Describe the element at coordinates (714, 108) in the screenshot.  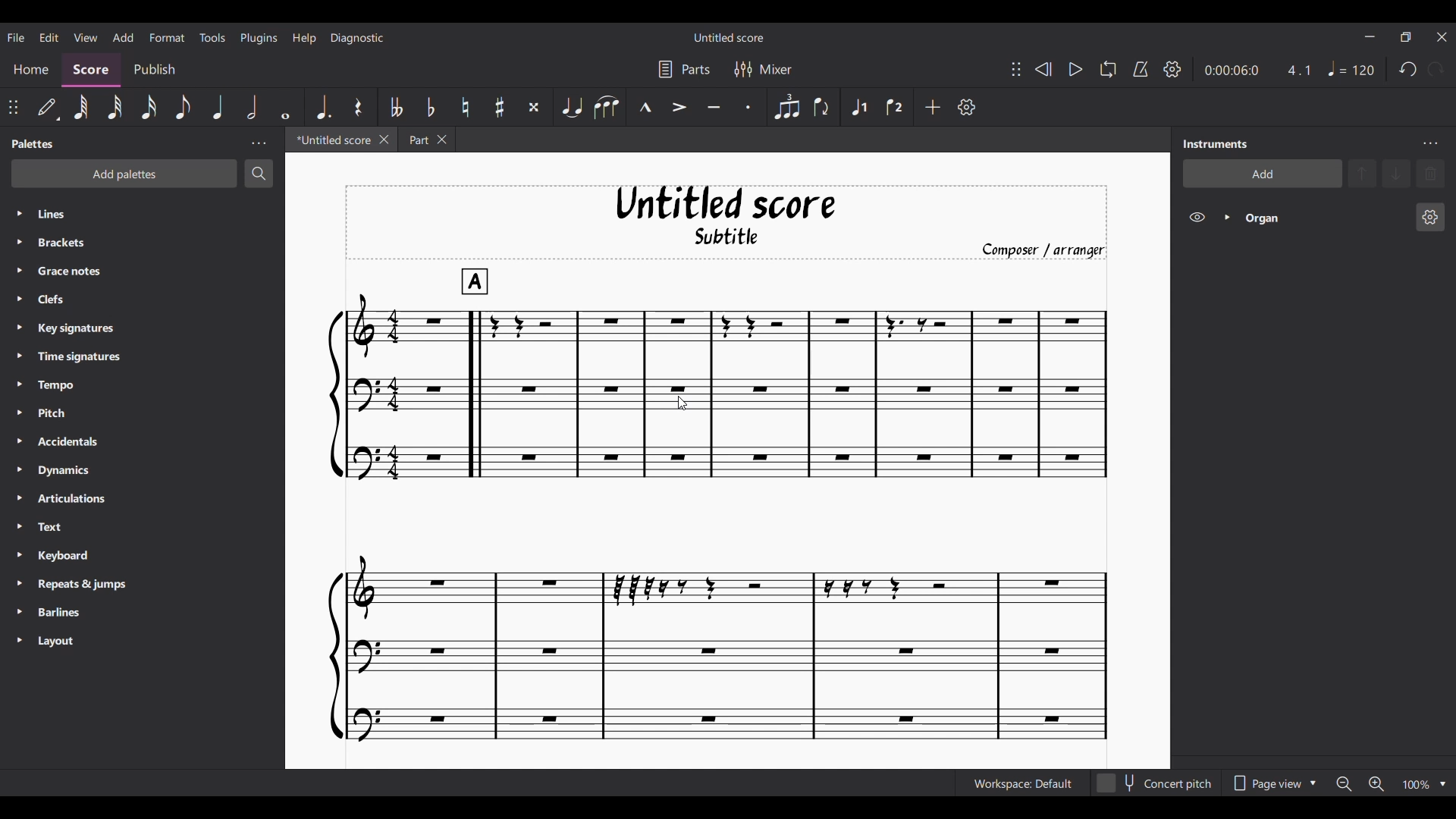
I see `Tenuto` at that location.